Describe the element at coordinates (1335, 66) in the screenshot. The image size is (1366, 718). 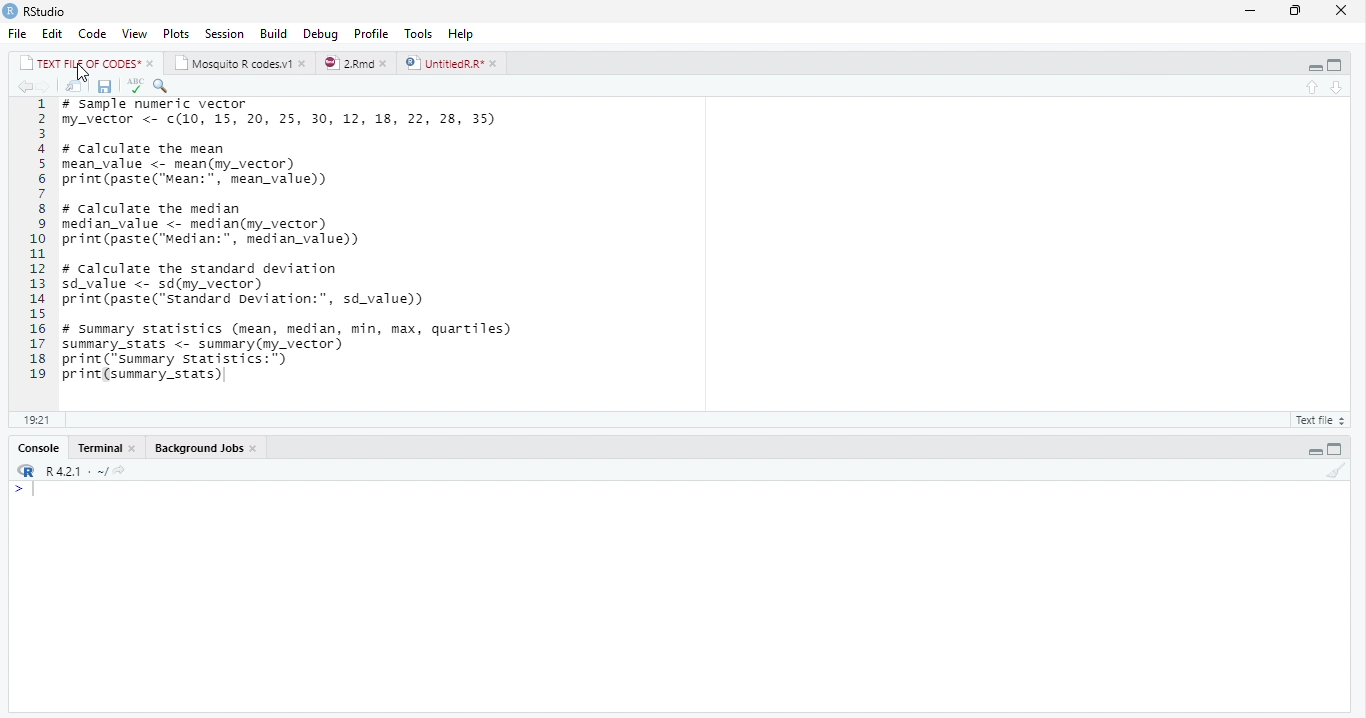
I see `maximize` at that location.